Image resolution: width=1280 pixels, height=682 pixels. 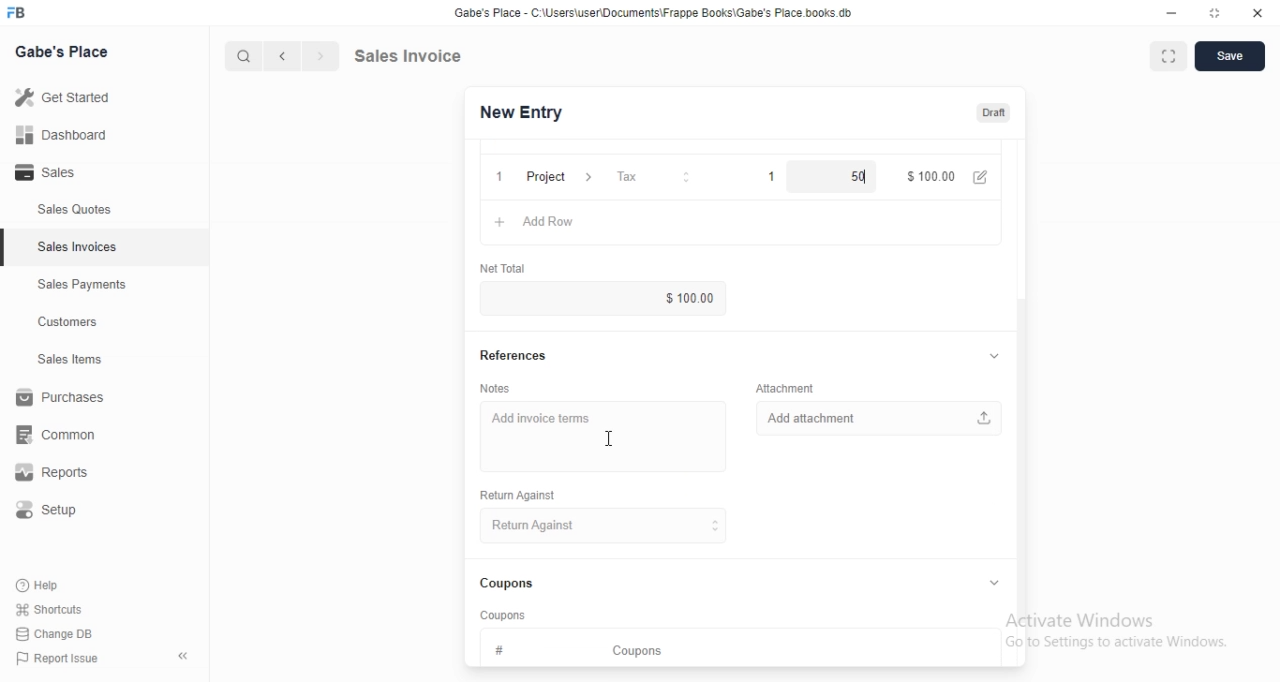 I want to click on ‘Net Total, so click(x=505, y=268).